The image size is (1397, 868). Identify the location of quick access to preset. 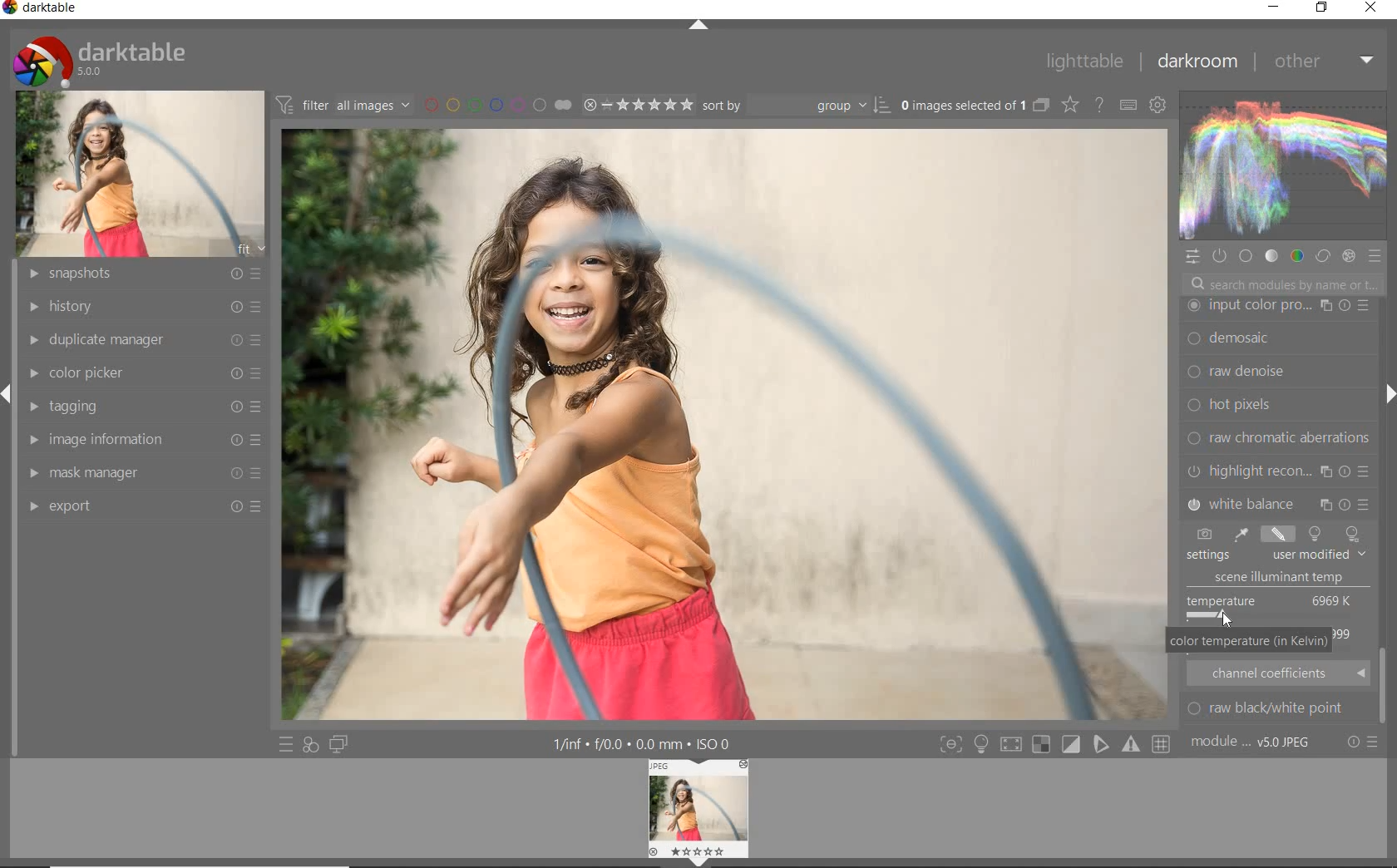
(286, 743).